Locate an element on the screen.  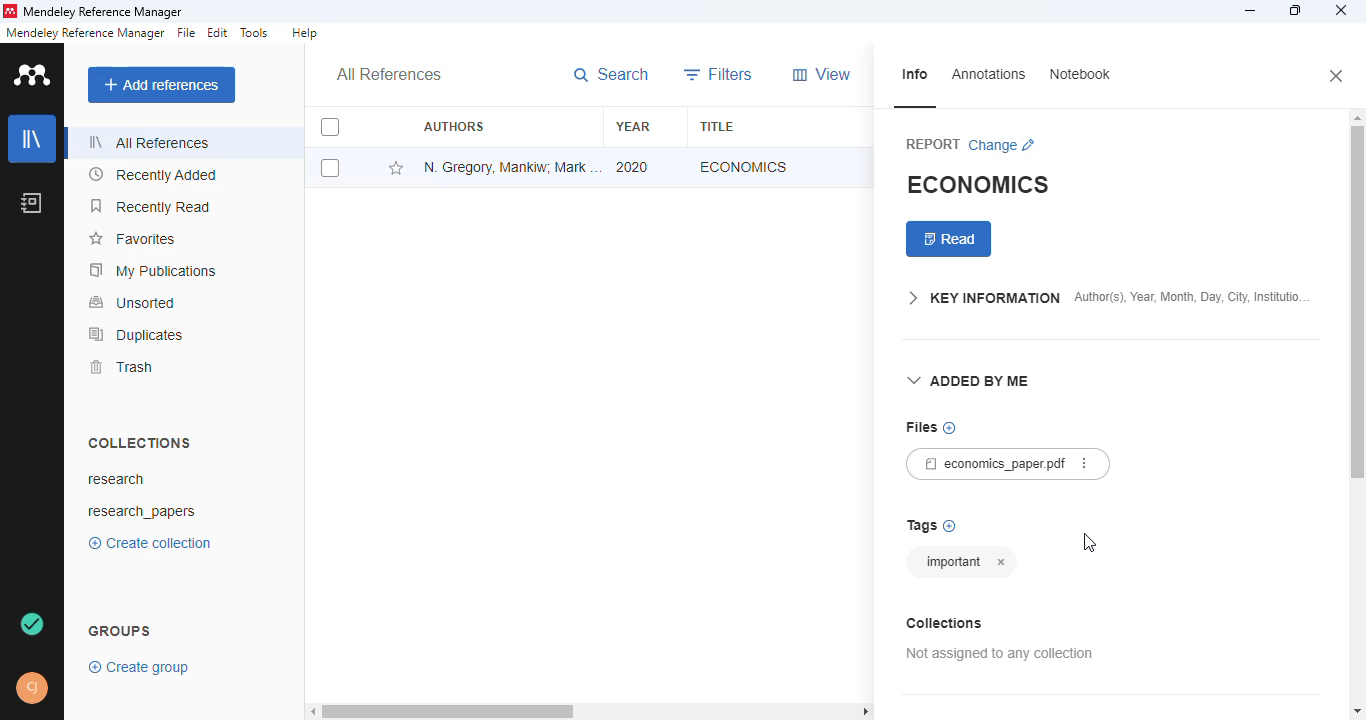
logo is located at coordinates (34, 76).